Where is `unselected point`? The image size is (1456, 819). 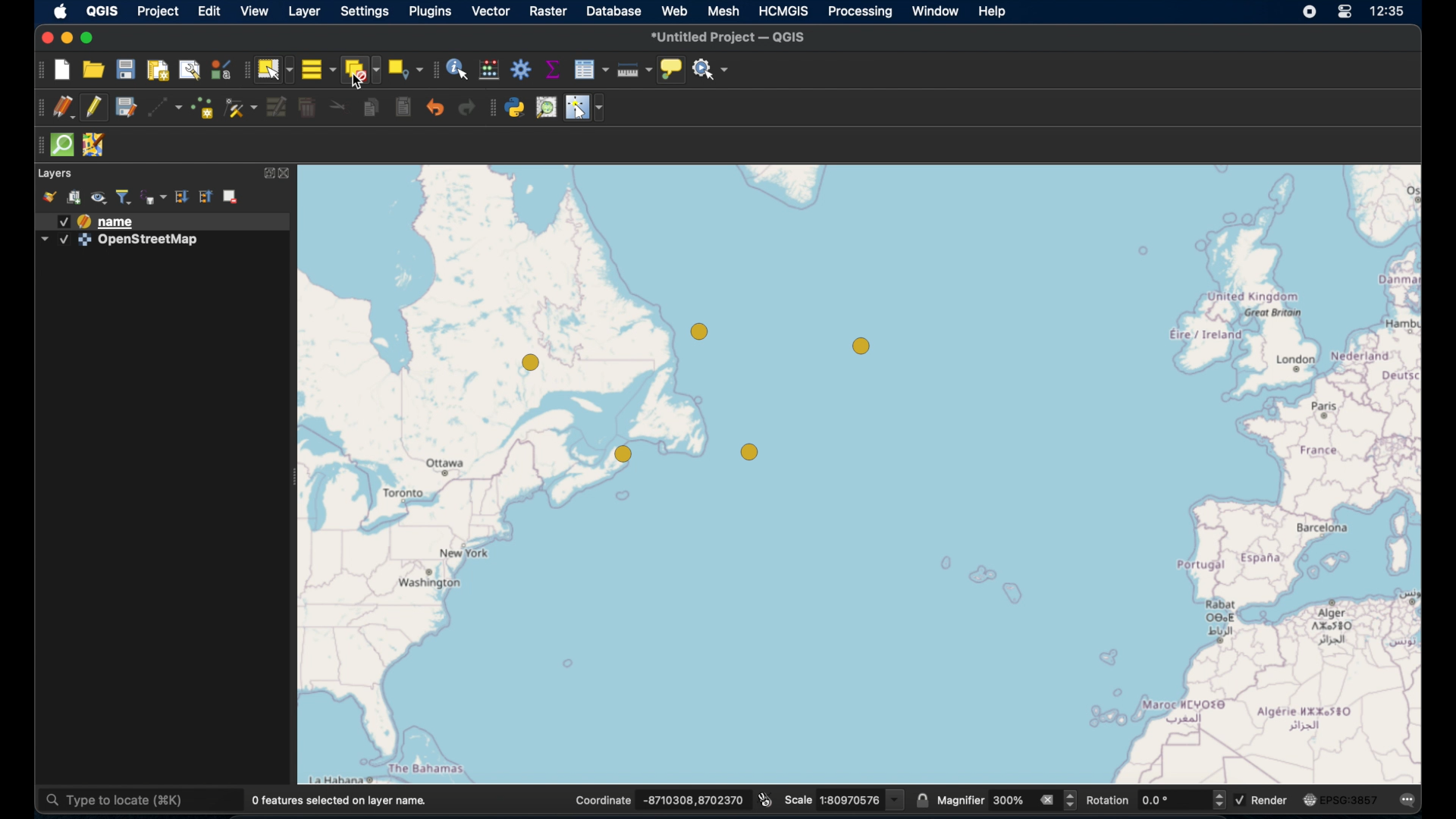
unselected point is located at coordinates (748, 453).